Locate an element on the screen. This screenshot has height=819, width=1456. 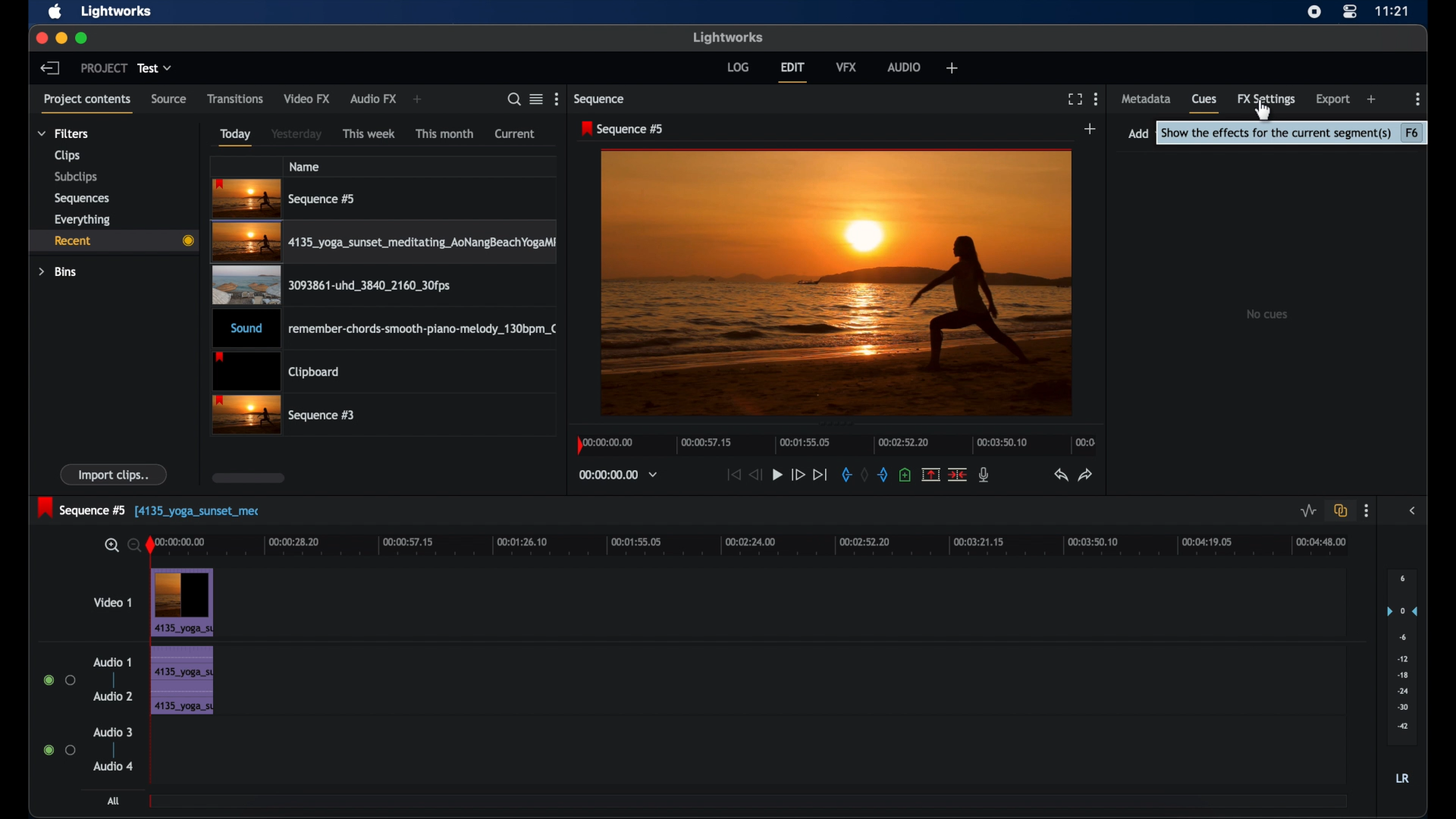
screen recorder icon is located at coordinates (1314, 12).